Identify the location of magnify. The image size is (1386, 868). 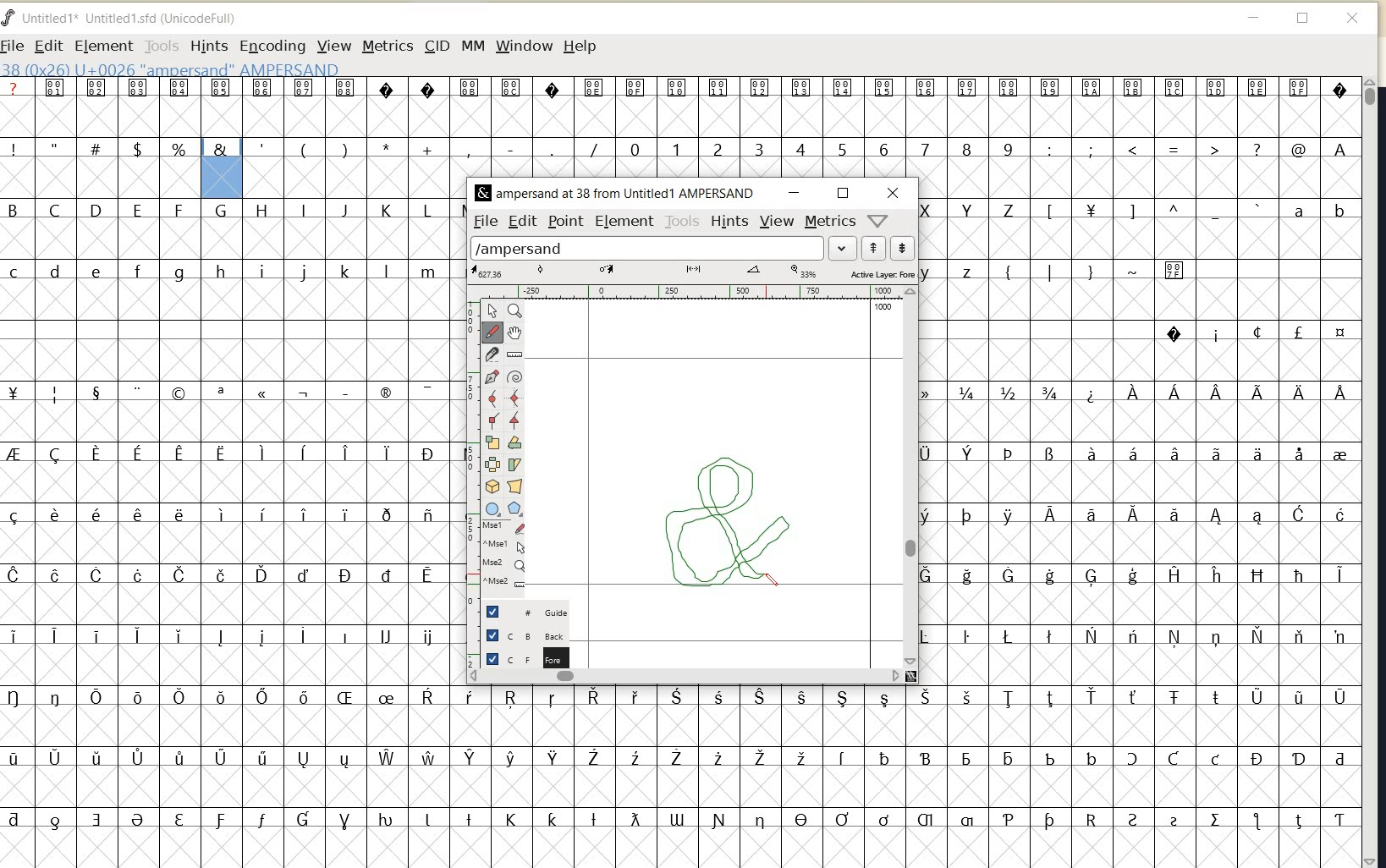
(516, 311).